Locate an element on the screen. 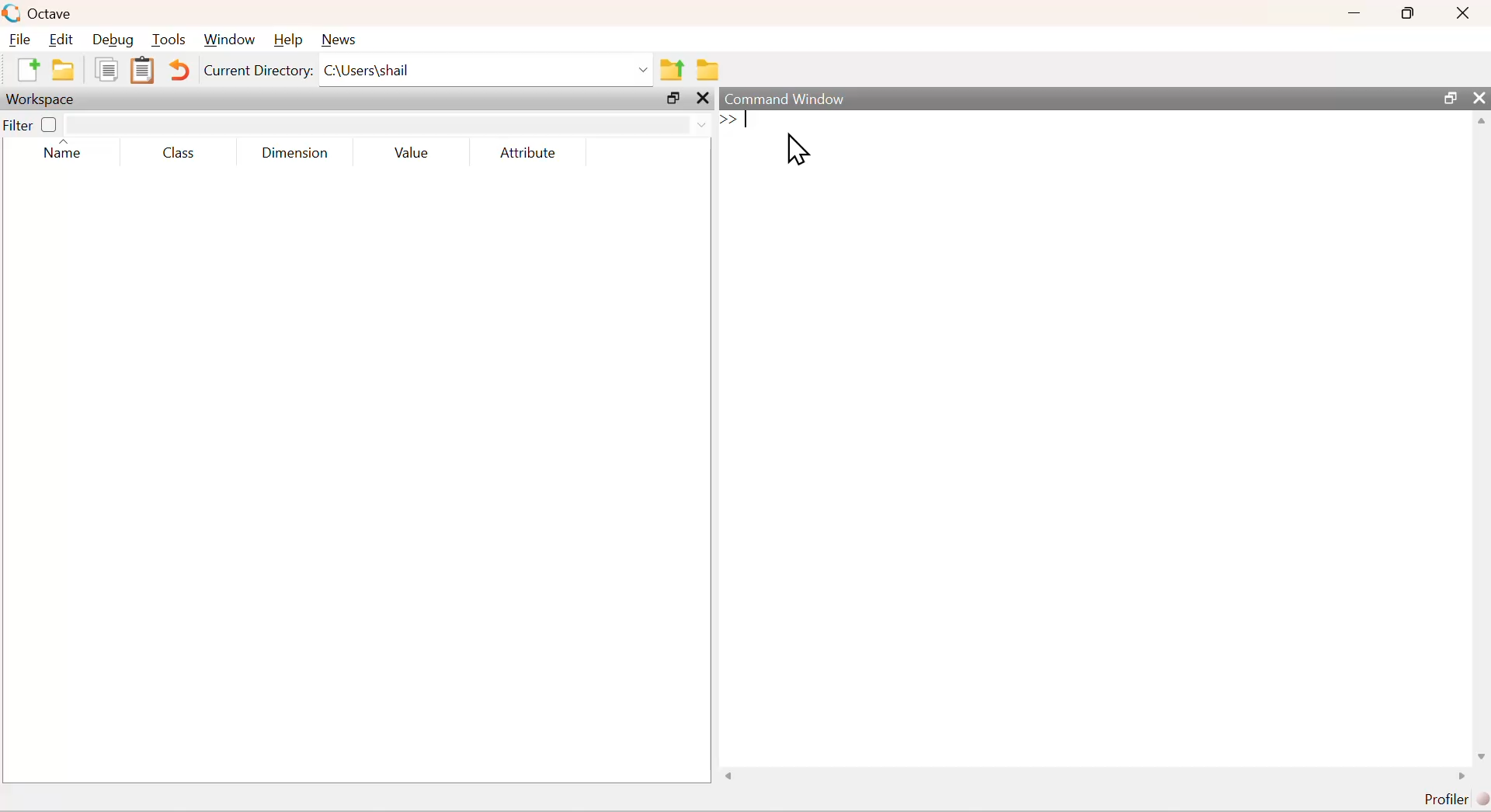 This screenshot has width=1491, height=812. Help is located at coordinates (287, 40).